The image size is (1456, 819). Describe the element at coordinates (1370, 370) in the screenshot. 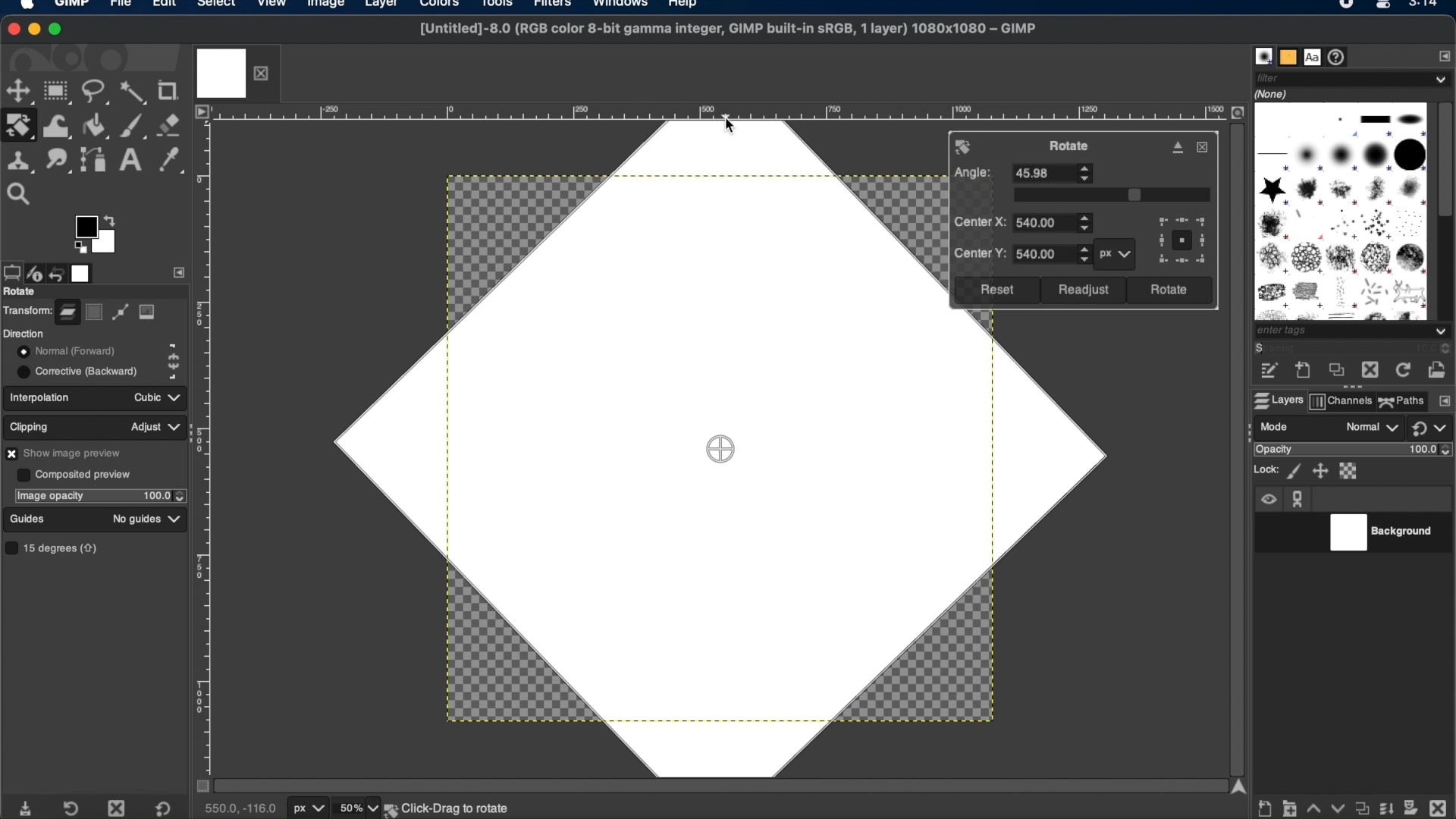

I see `delete this brush` at that location.